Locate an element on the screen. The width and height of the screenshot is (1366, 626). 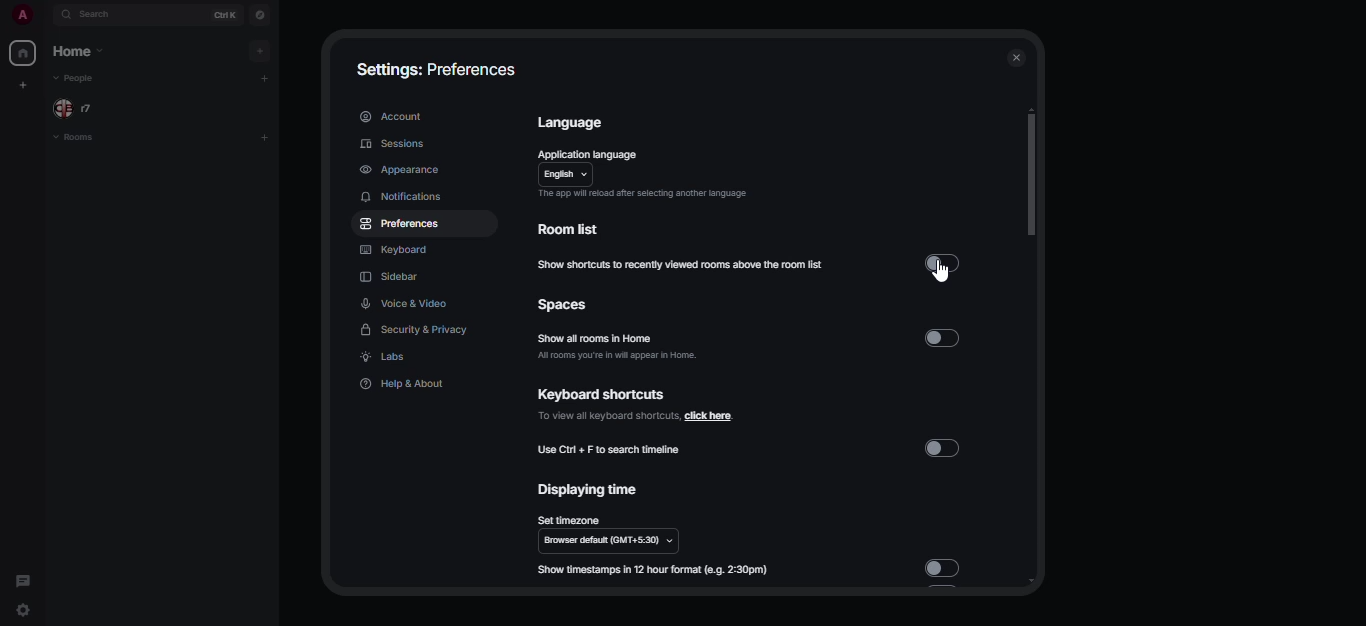
close is located at coordinates (1015, 56).